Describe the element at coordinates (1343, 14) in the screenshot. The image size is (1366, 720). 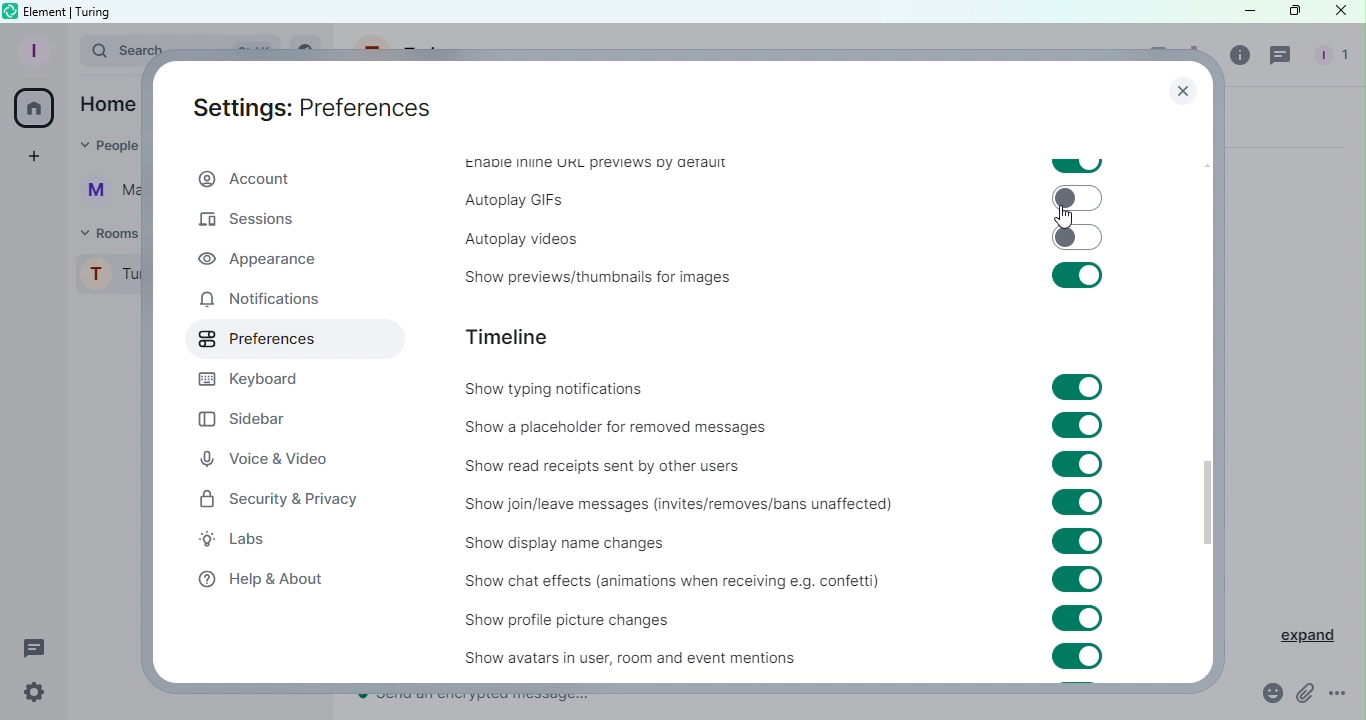
I see `Close` at that location.